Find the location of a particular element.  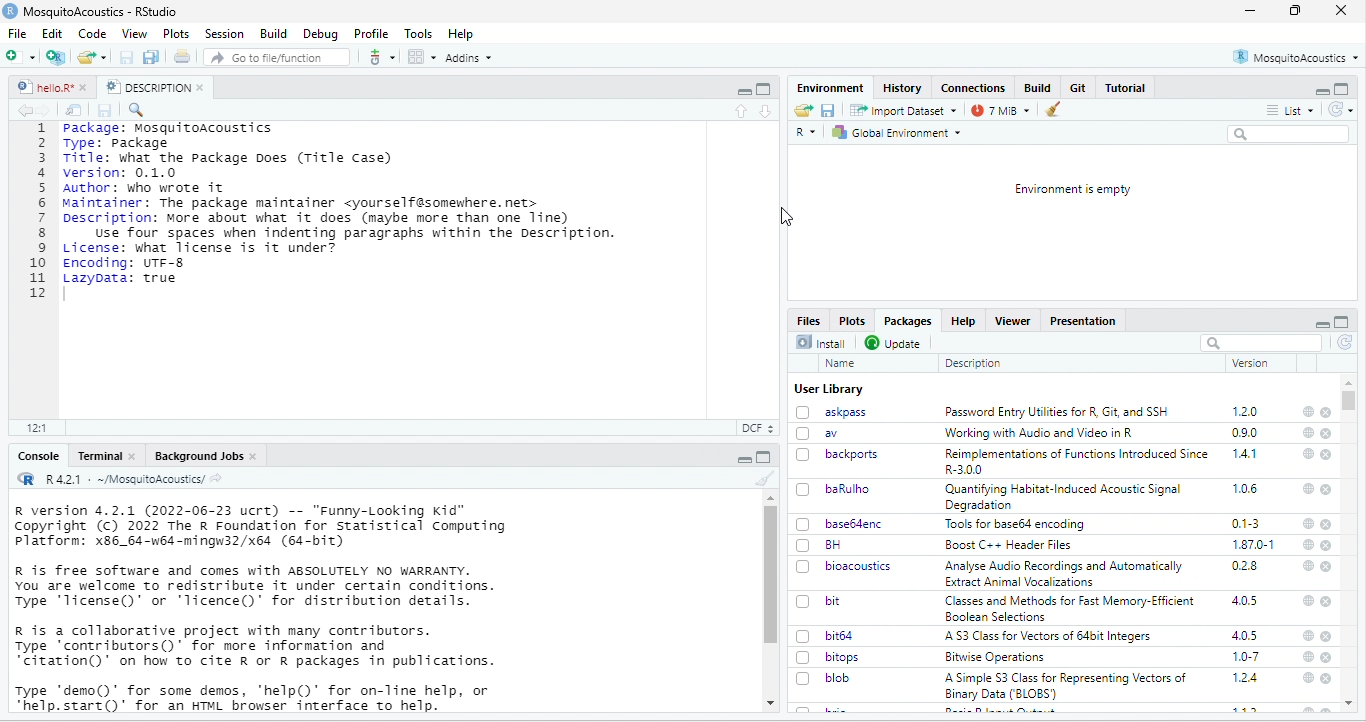

R is a collaborative project with many contributors.
Type contributors)" for more information and
“citation()’ on how to cite R or R packages in publications. is located at coordinates (255, 648).